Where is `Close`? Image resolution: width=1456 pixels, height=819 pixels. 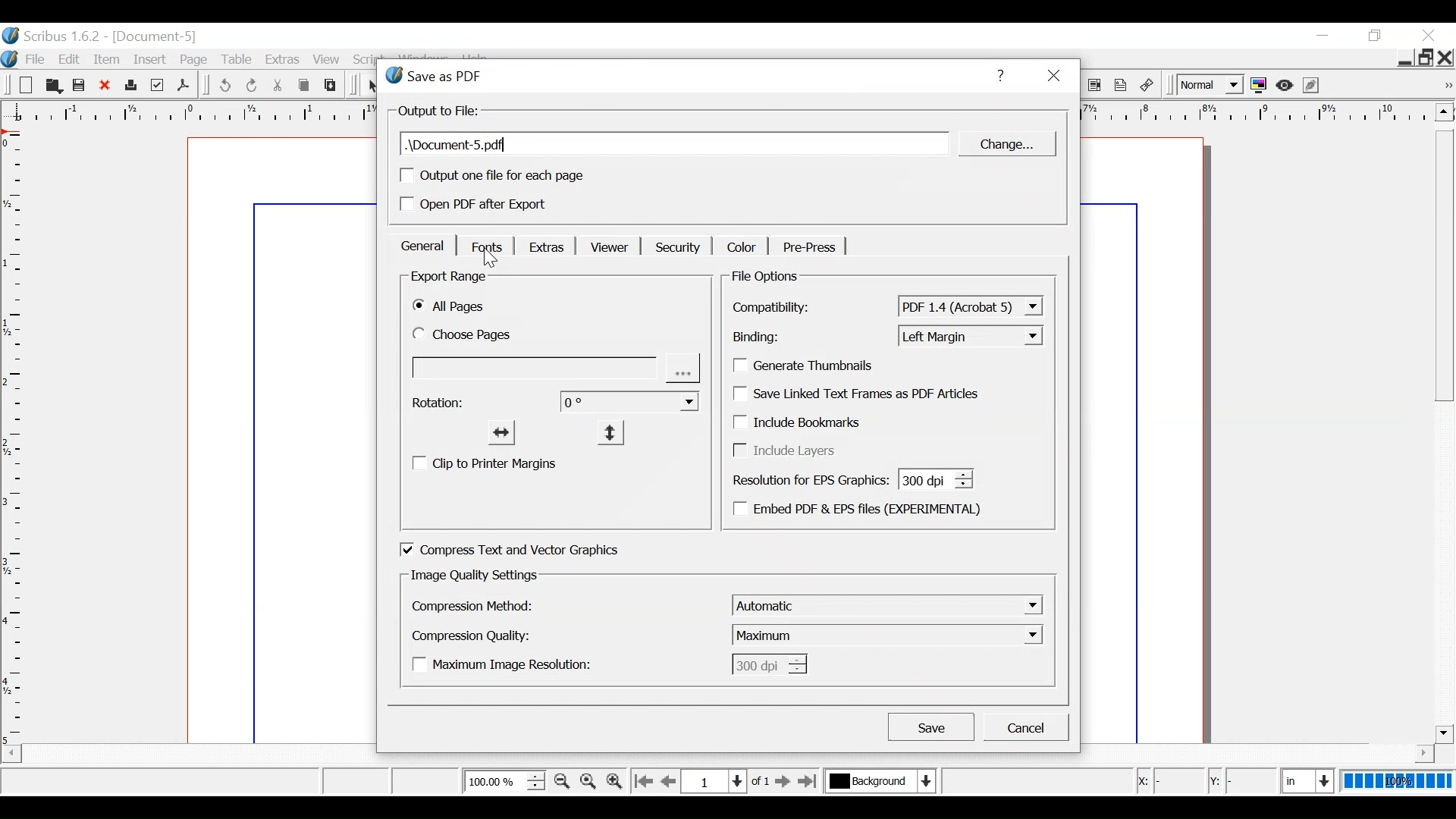
Close is located at coordinates (1446, 58).